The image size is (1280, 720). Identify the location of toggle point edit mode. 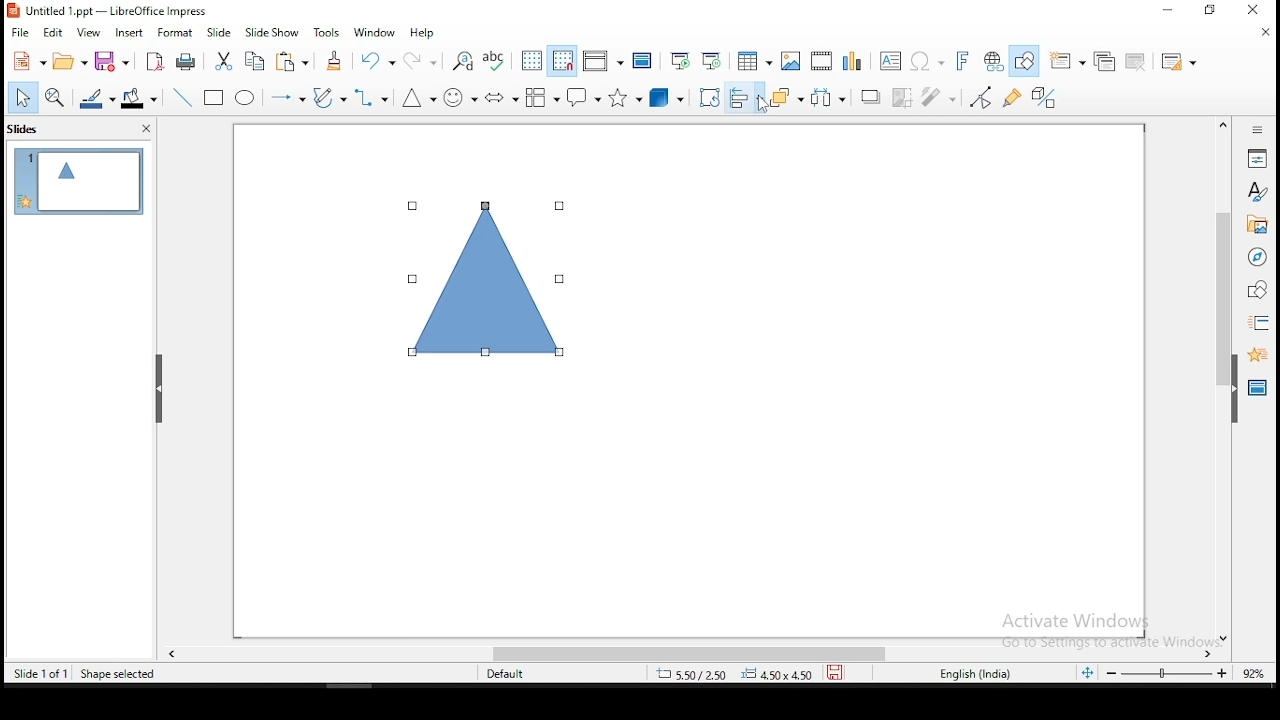
(982, 97).